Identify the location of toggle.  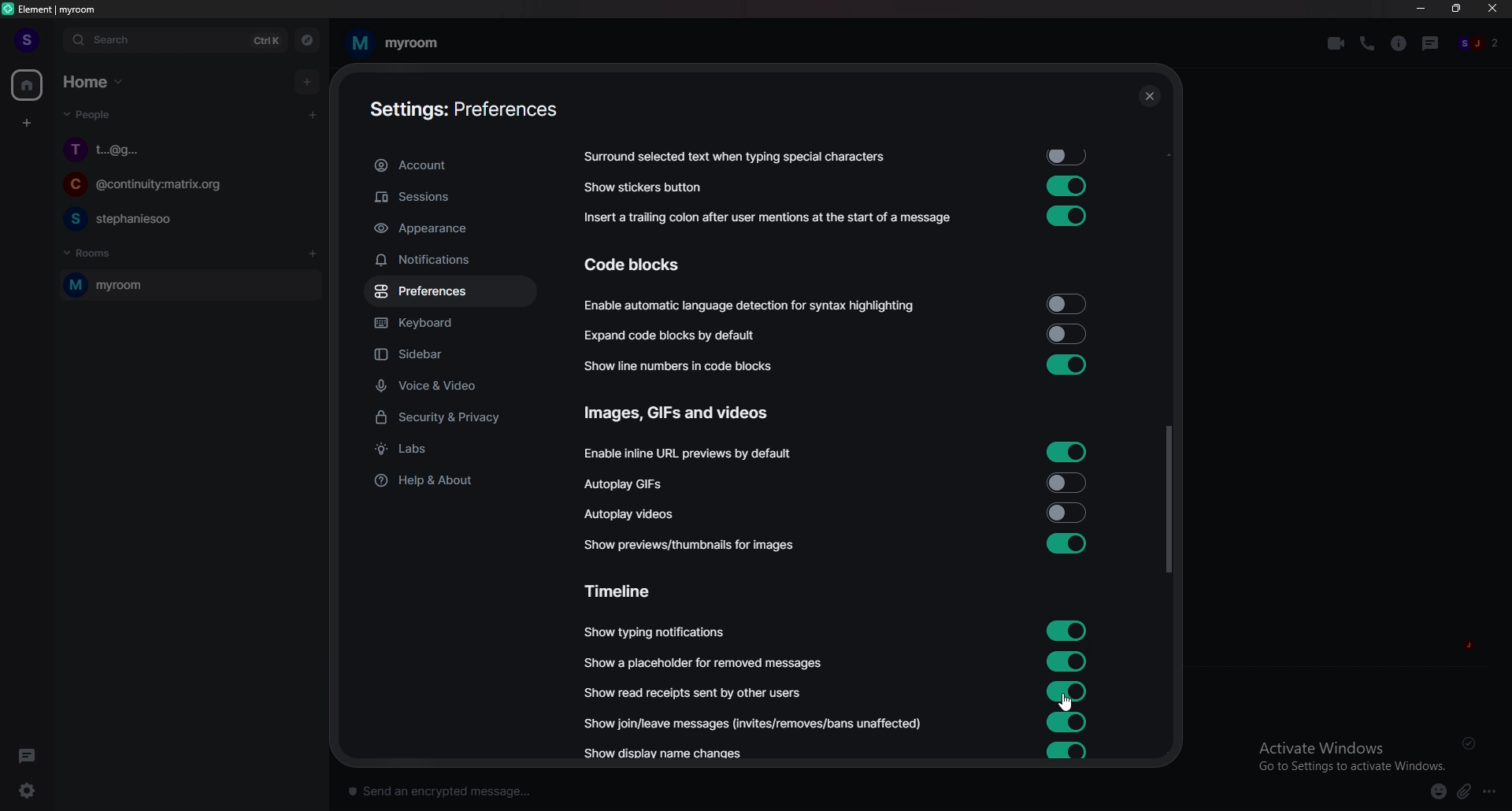
(1068, 722).